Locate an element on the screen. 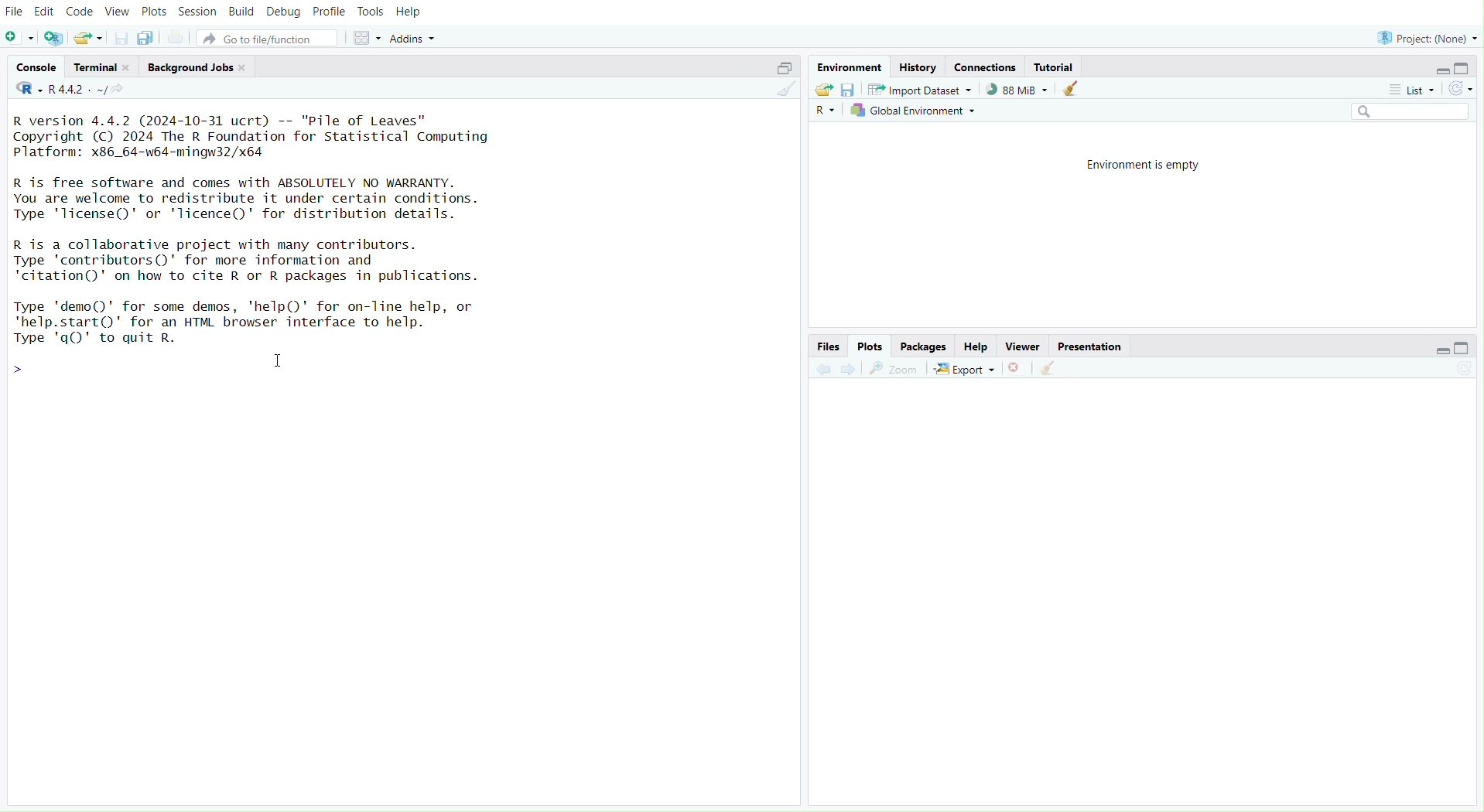  View is located at coordinates (115, 11).